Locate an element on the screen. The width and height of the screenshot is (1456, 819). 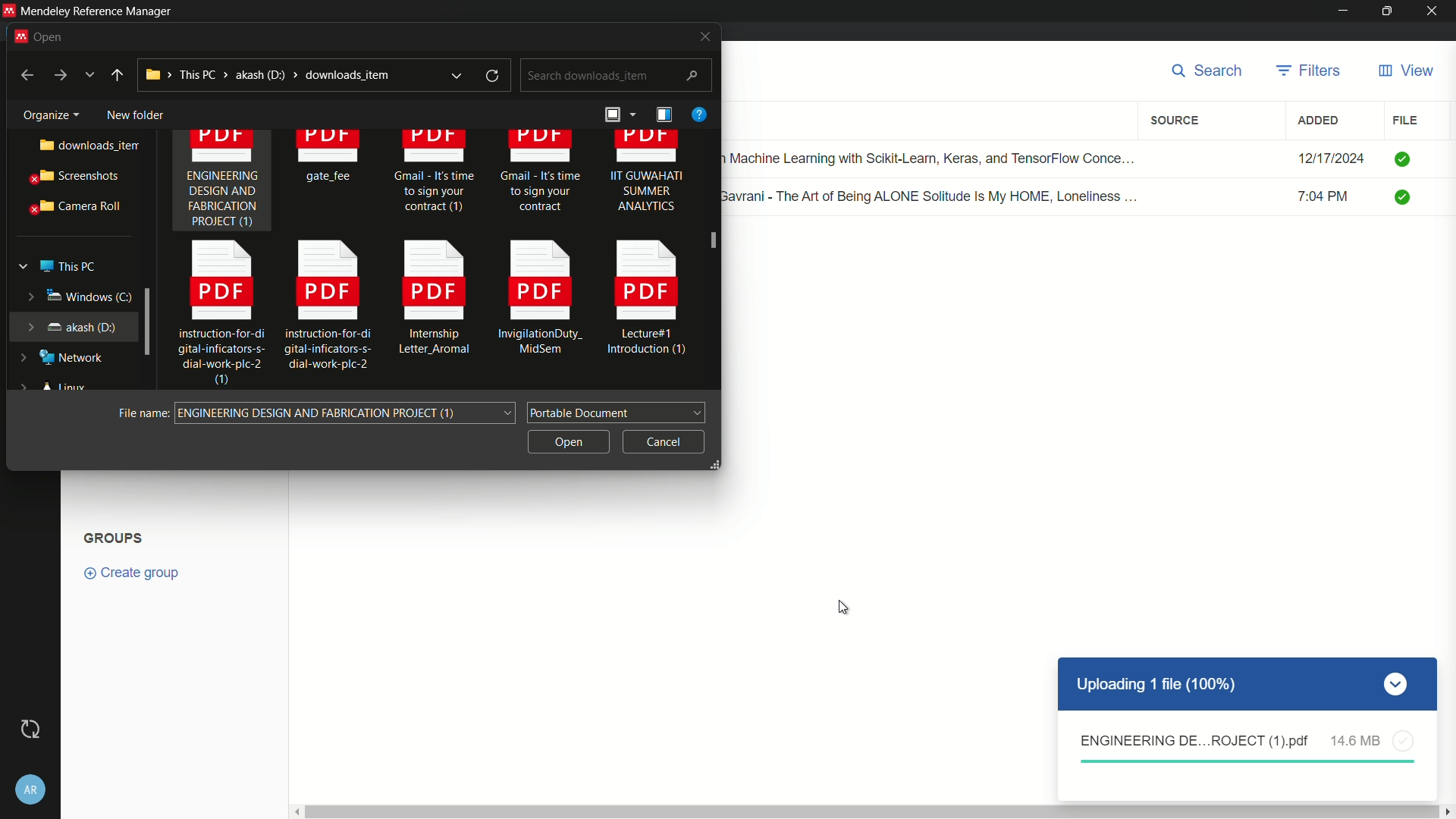
Groups is located at coordinates (116, 536).